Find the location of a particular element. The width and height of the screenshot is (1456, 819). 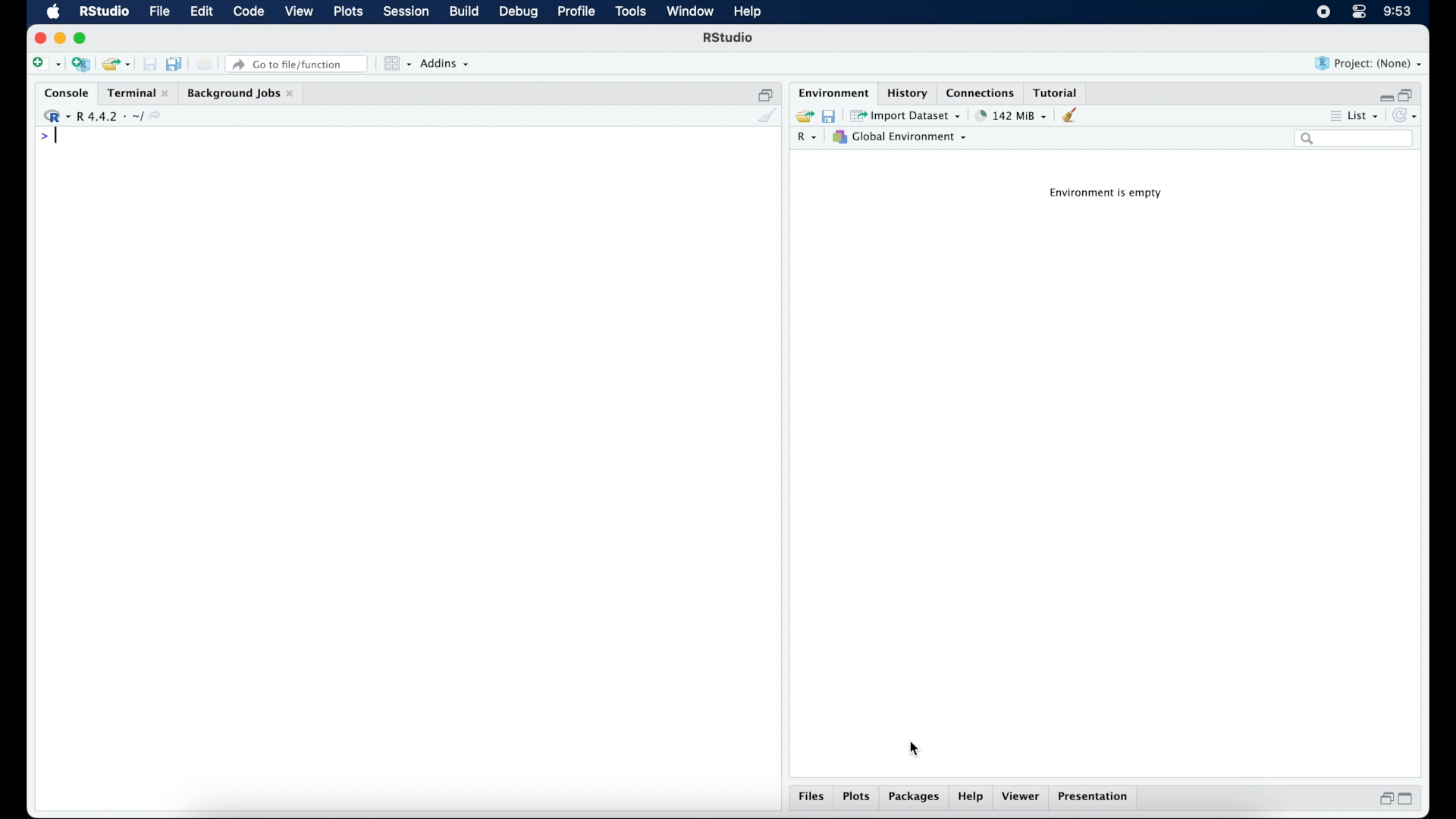

list is located at coordinates (1366, 115).